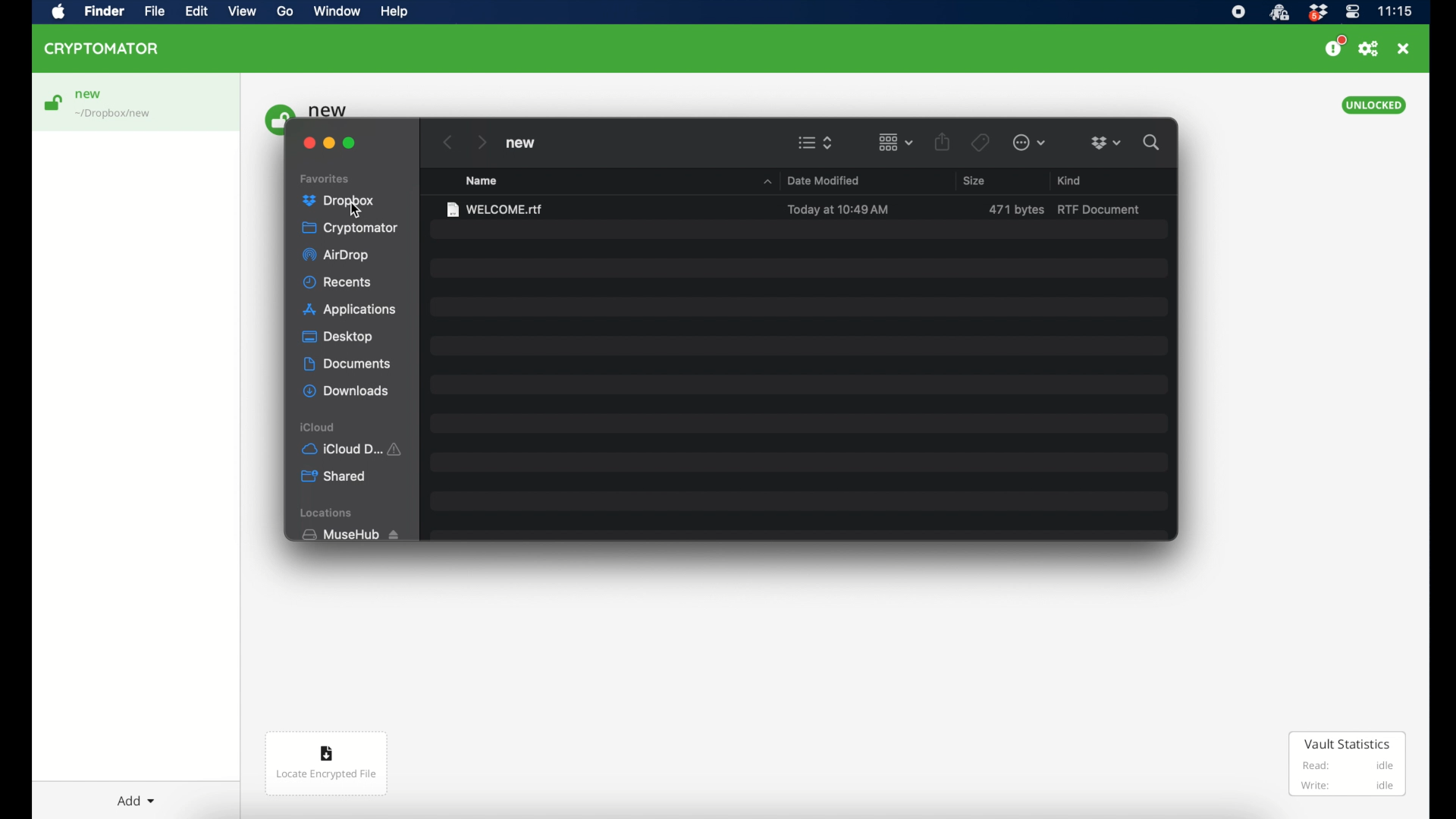 This screenshot has width=1456, height=819. Describe the element at coordinates (352, 310) in the screenshot. I see `applications` at that location.